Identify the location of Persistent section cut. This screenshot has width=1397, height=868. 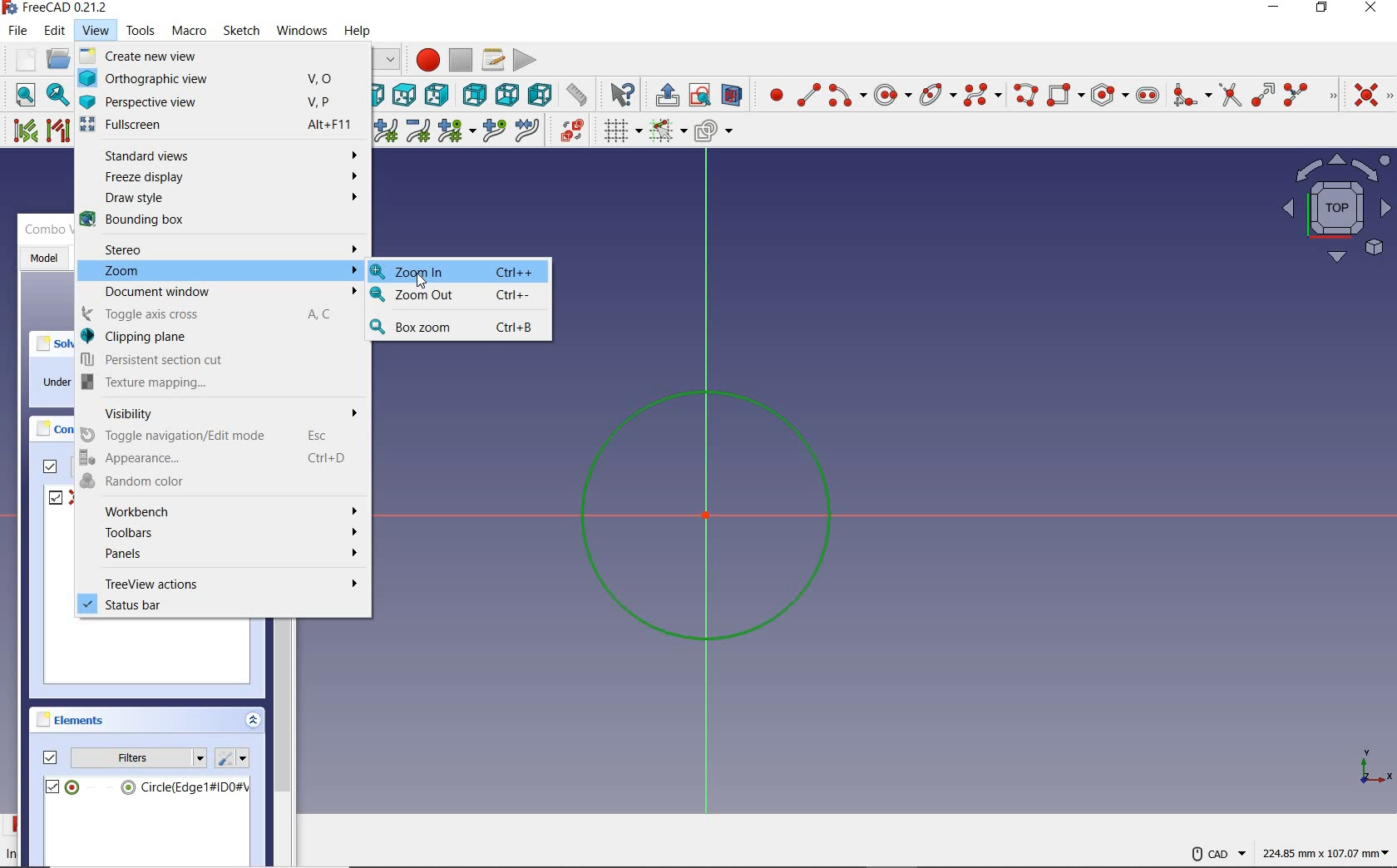
(225, 358).